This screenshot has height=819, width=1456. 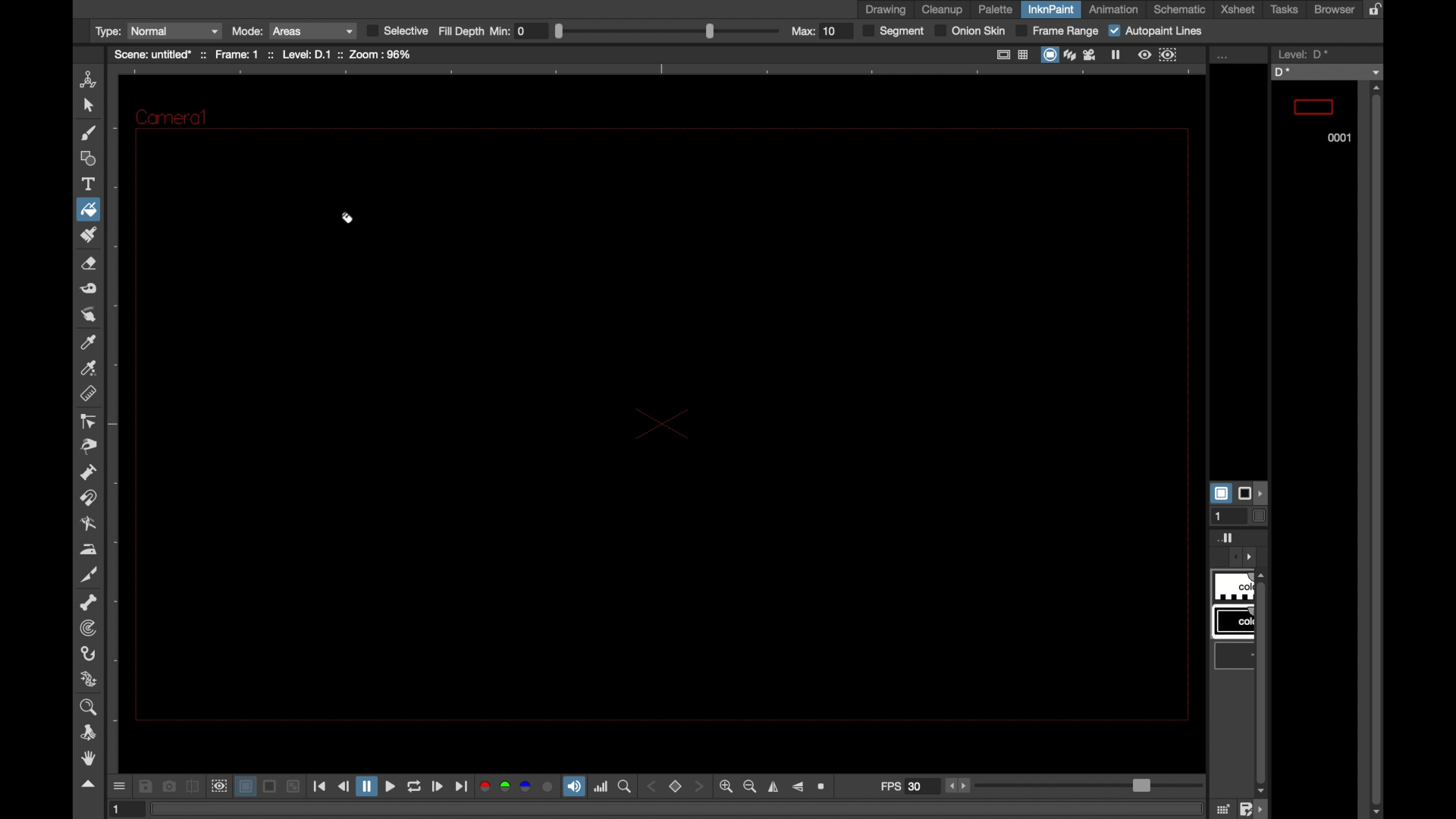 What do you see at coordinates (86, 106) in the screenshot?
I see `selection tool` at bounding box center [86, 106].